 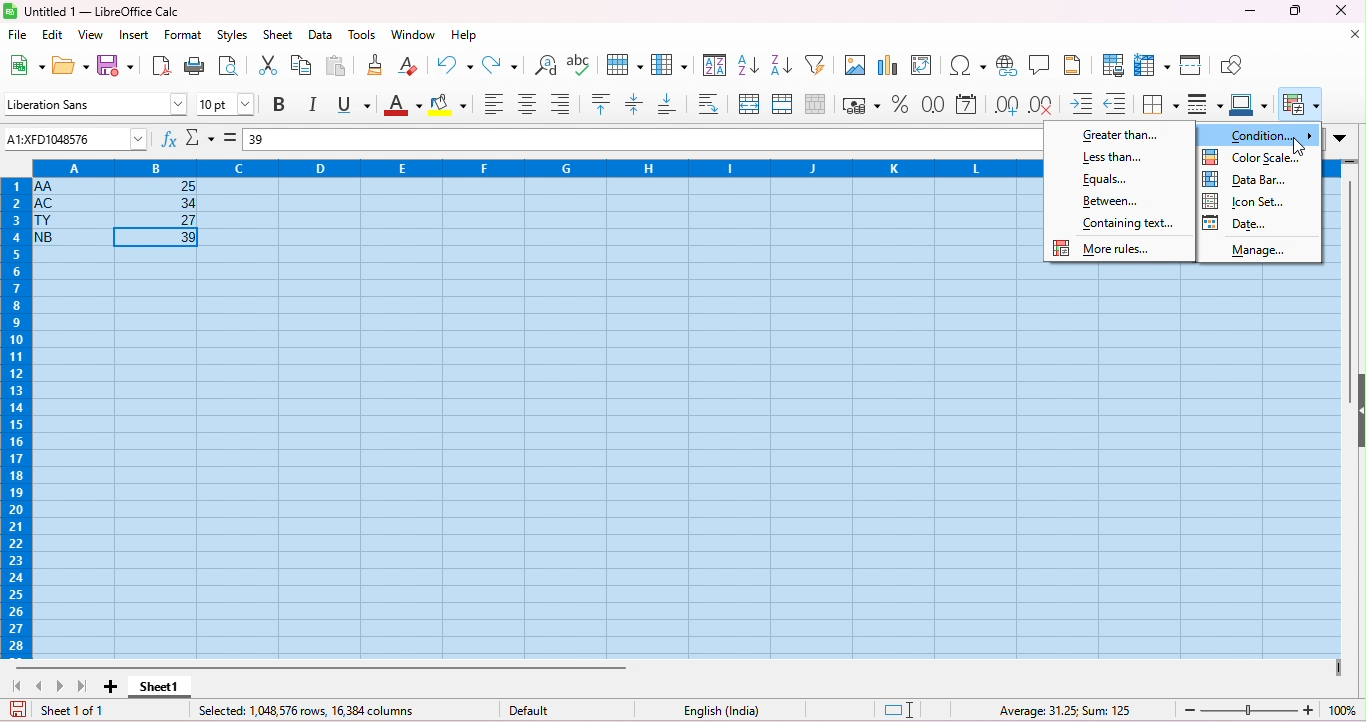 What do you see at coordinates (90, 36) in the screenshot?
I see `view` at bounding box center [90, 36].